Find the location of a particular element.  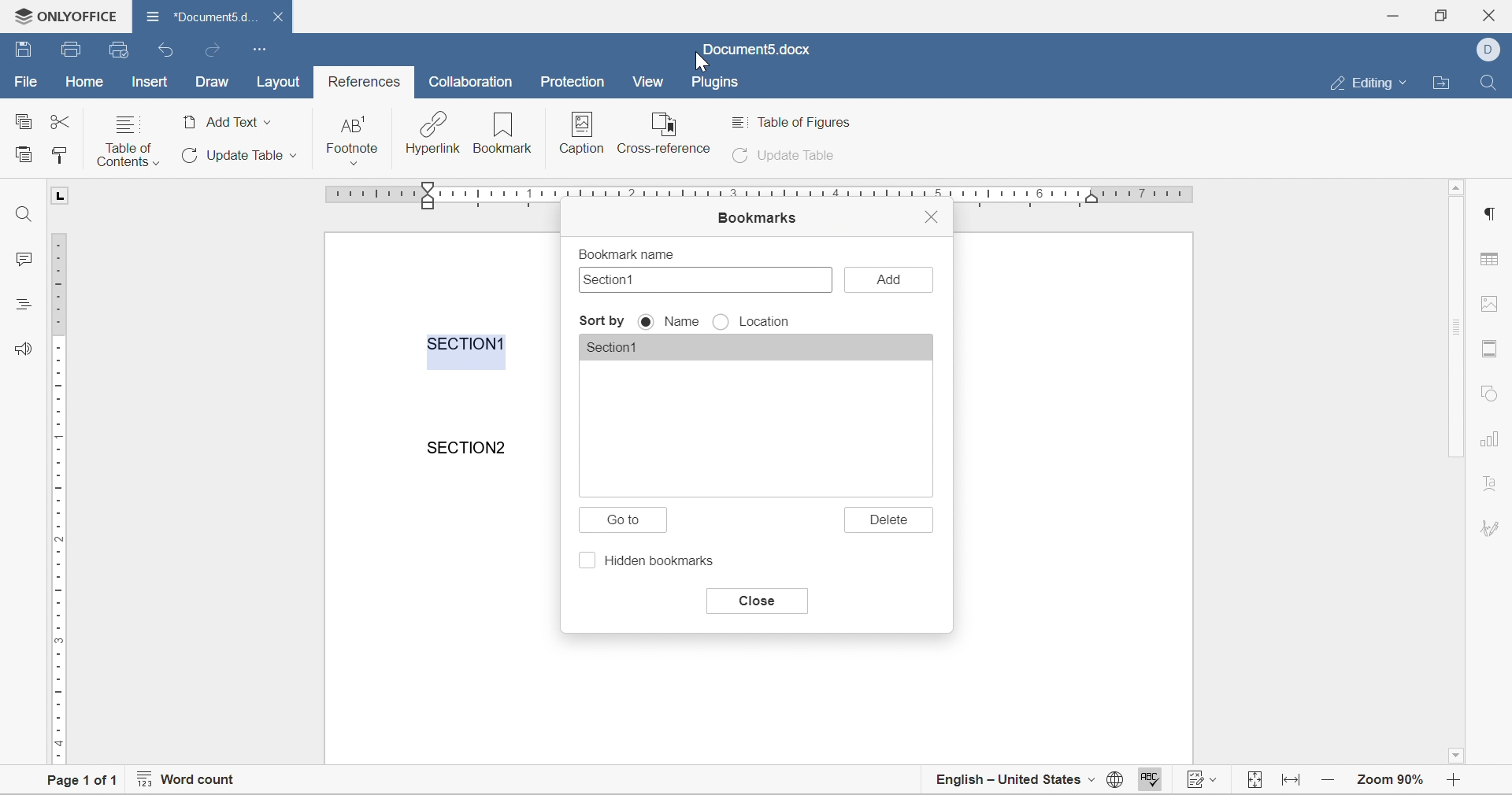

customize quick access toolbar is located at coordinates (261, 48).